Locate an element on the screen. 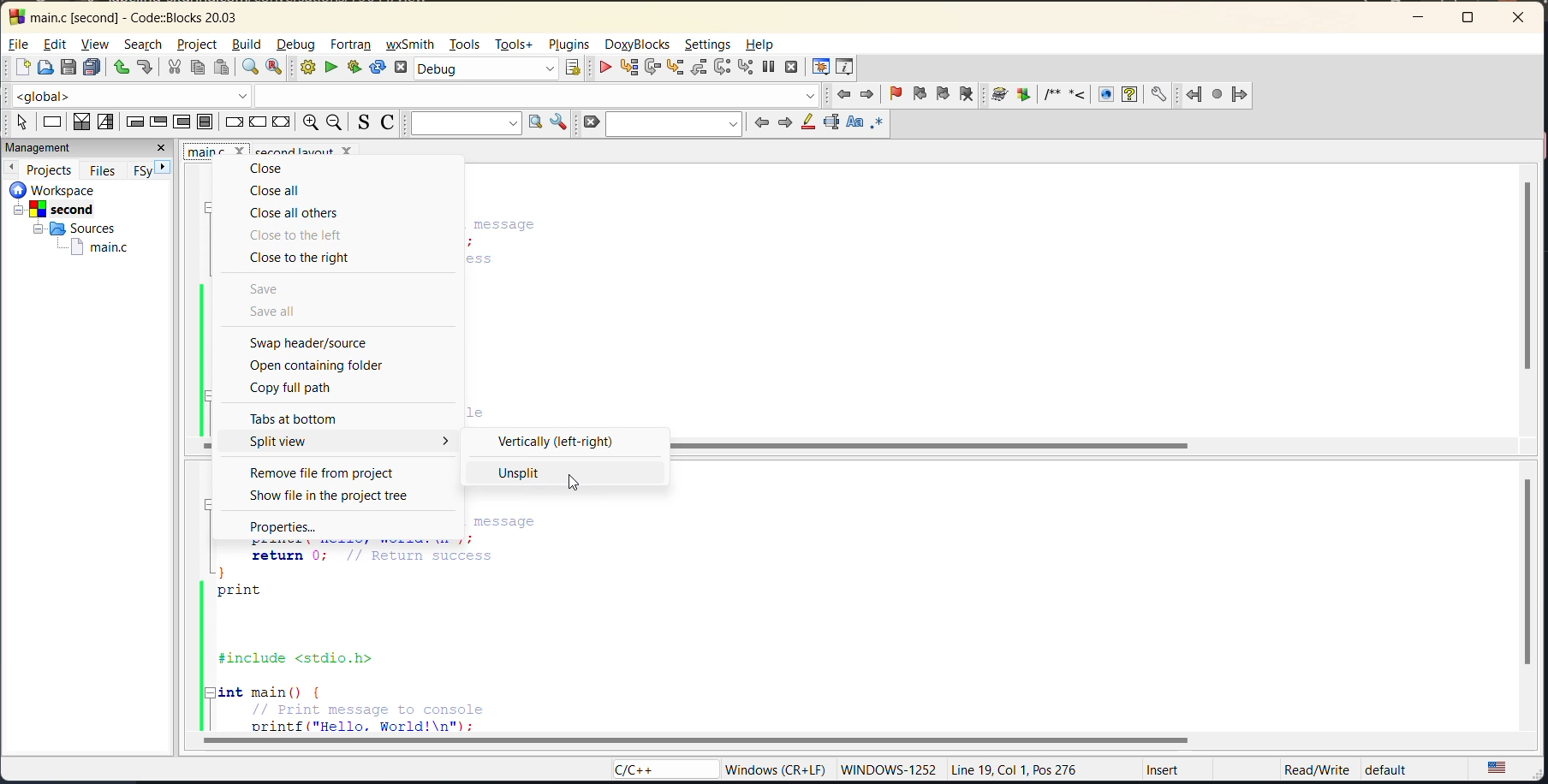 Image resolution: width=1548 pixels, height=784 pixels. view is located at coordinates (97, 45).